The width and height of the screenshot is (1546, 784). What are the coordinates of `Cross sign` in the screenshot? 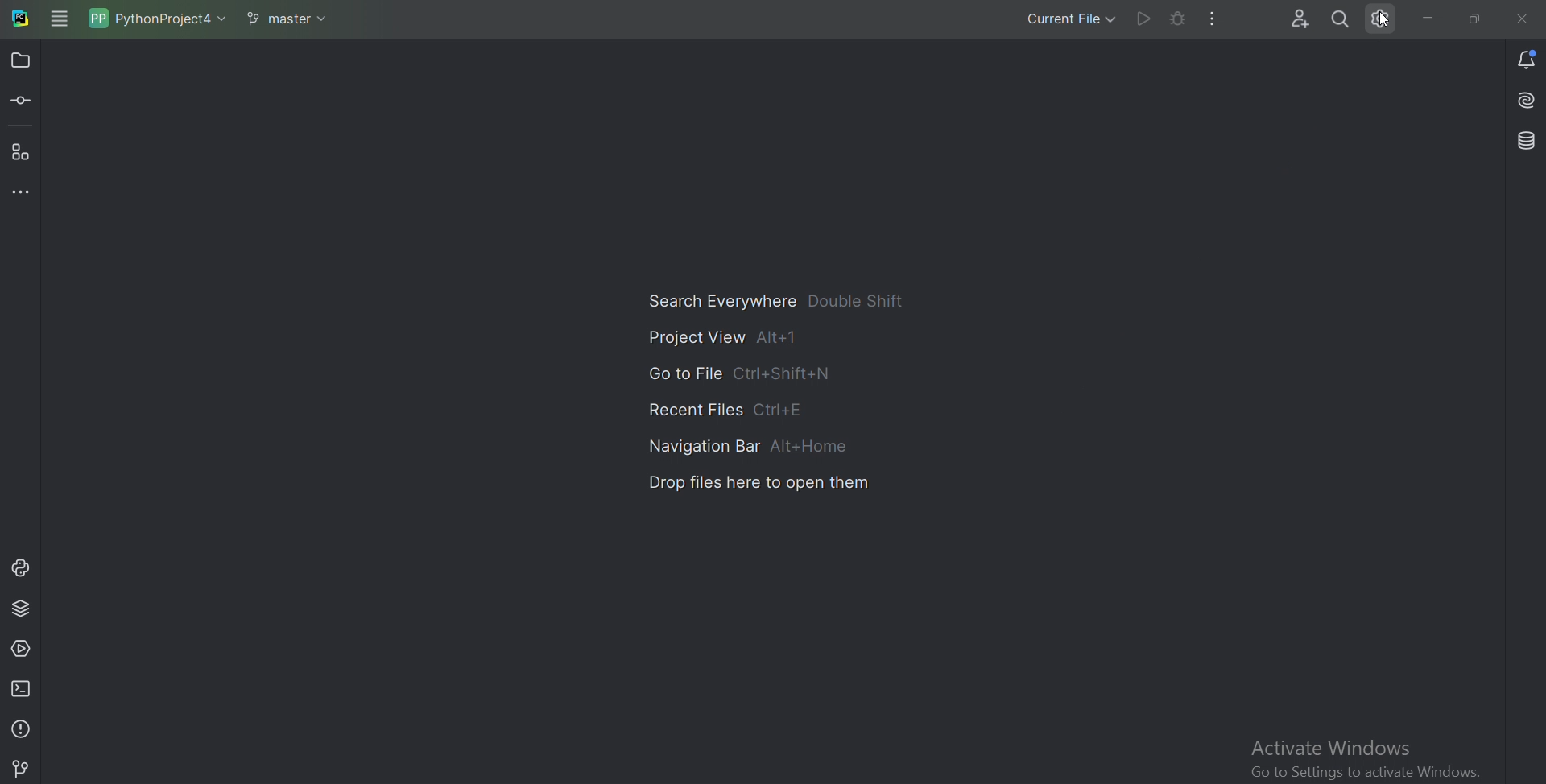 It's located at (1525, 19).